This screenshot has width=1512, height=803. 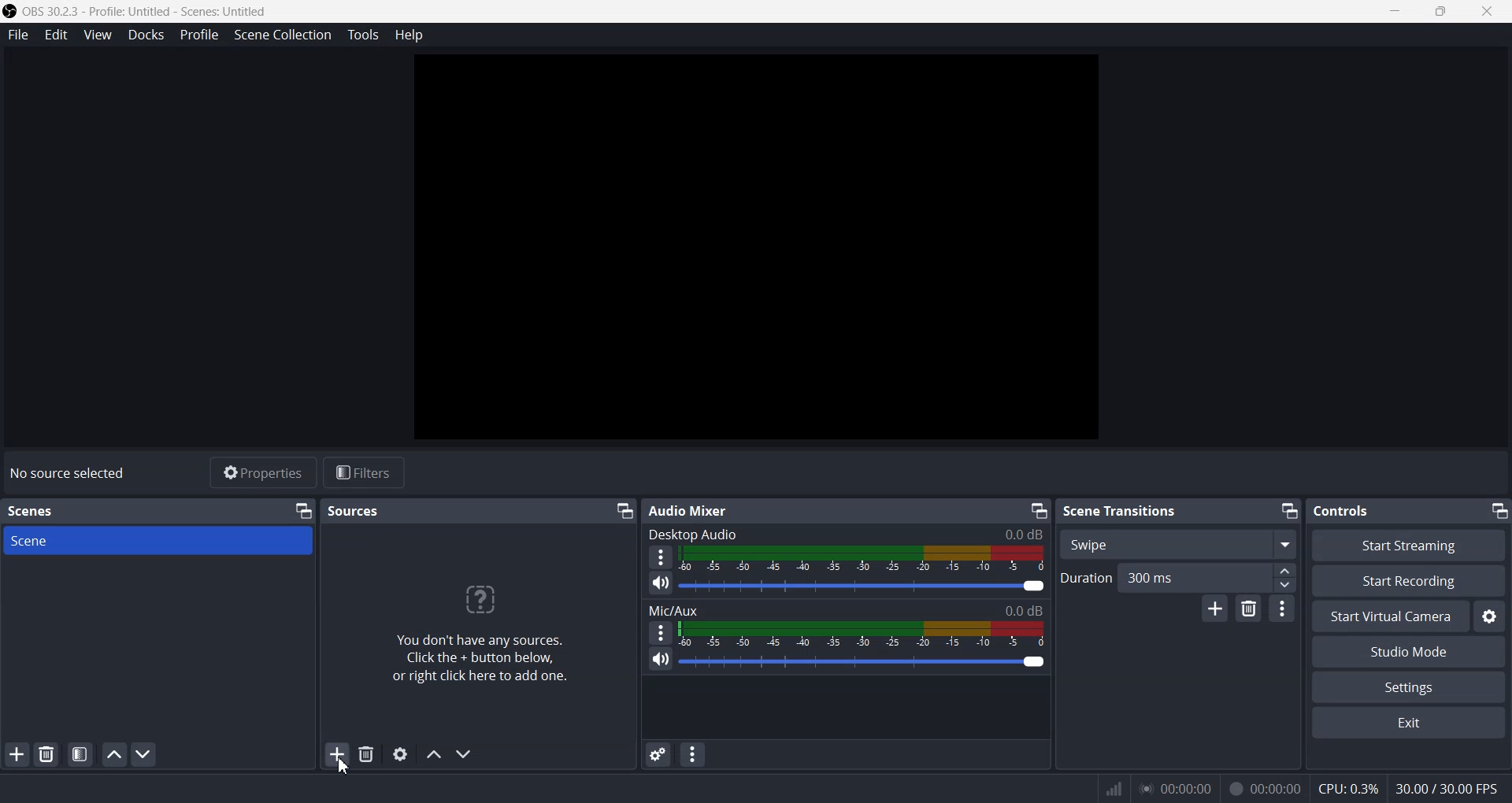 What do you see at coordinates (363, 472) in the screenshot?
I see `Filters` at bounding box center [363, 472].